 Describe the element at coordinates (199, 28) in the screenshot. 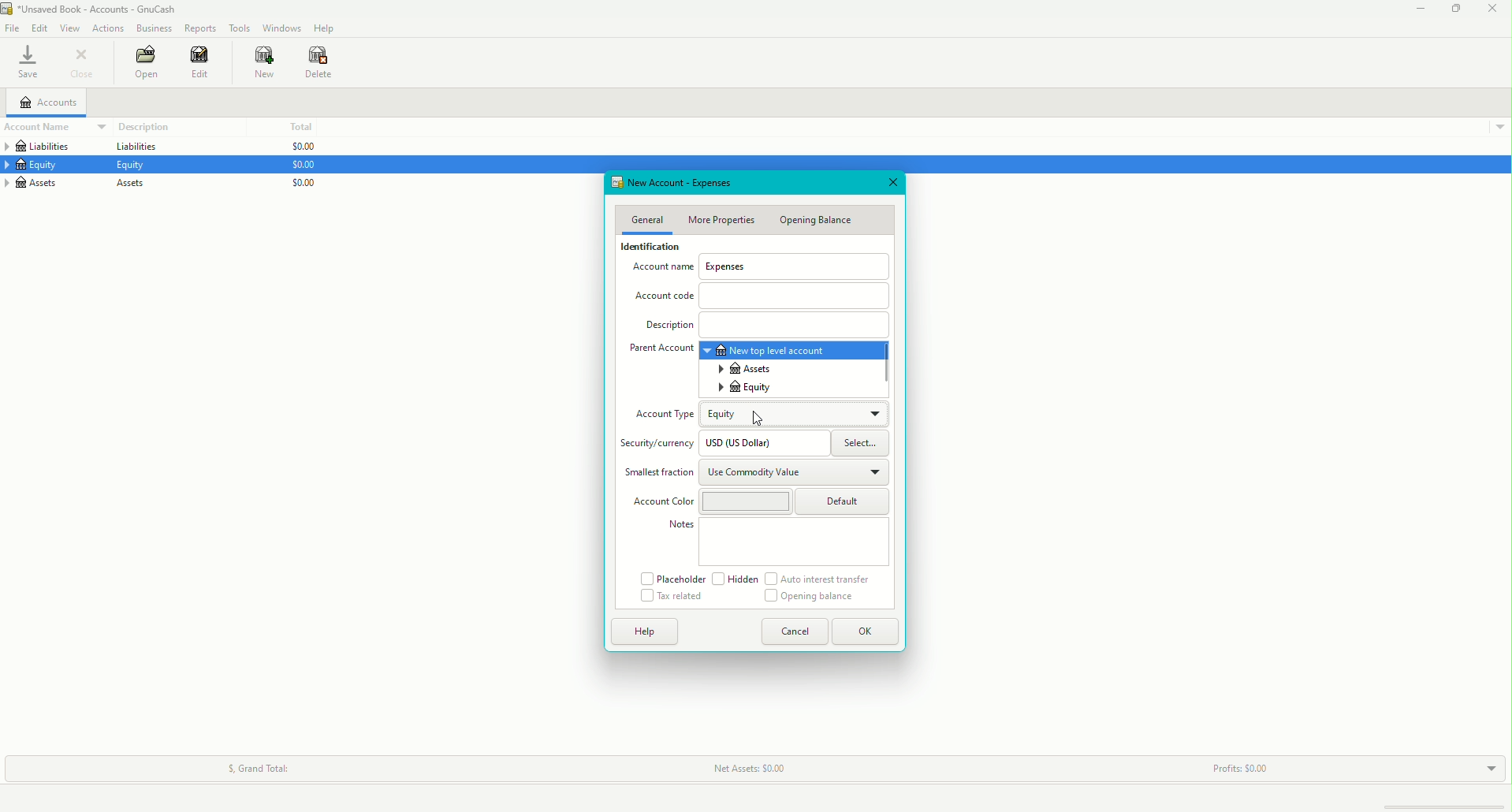

I see `Reports` at that location.